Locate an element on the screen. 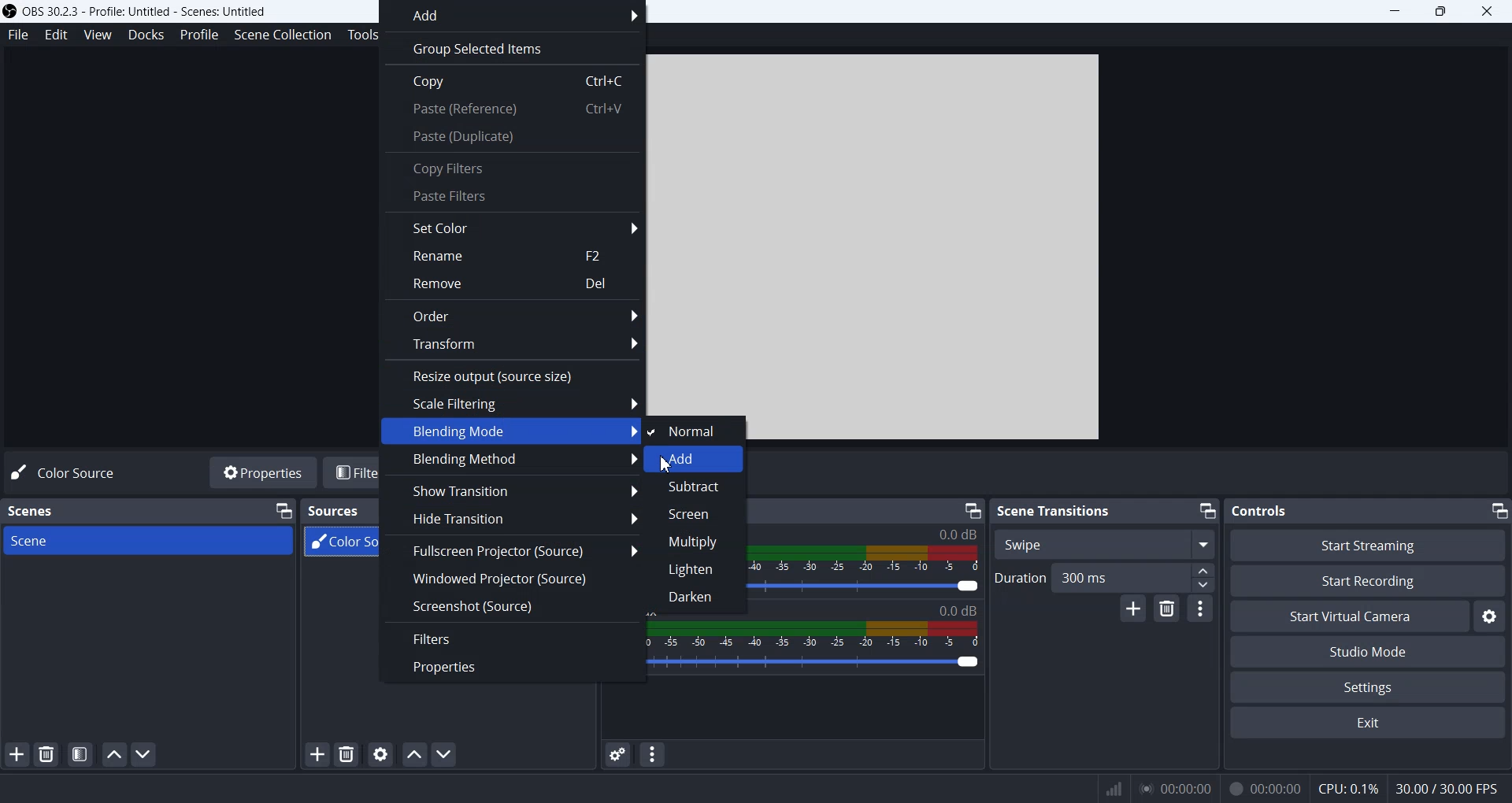  Move Scene UP is located at coordinates (114, 754).